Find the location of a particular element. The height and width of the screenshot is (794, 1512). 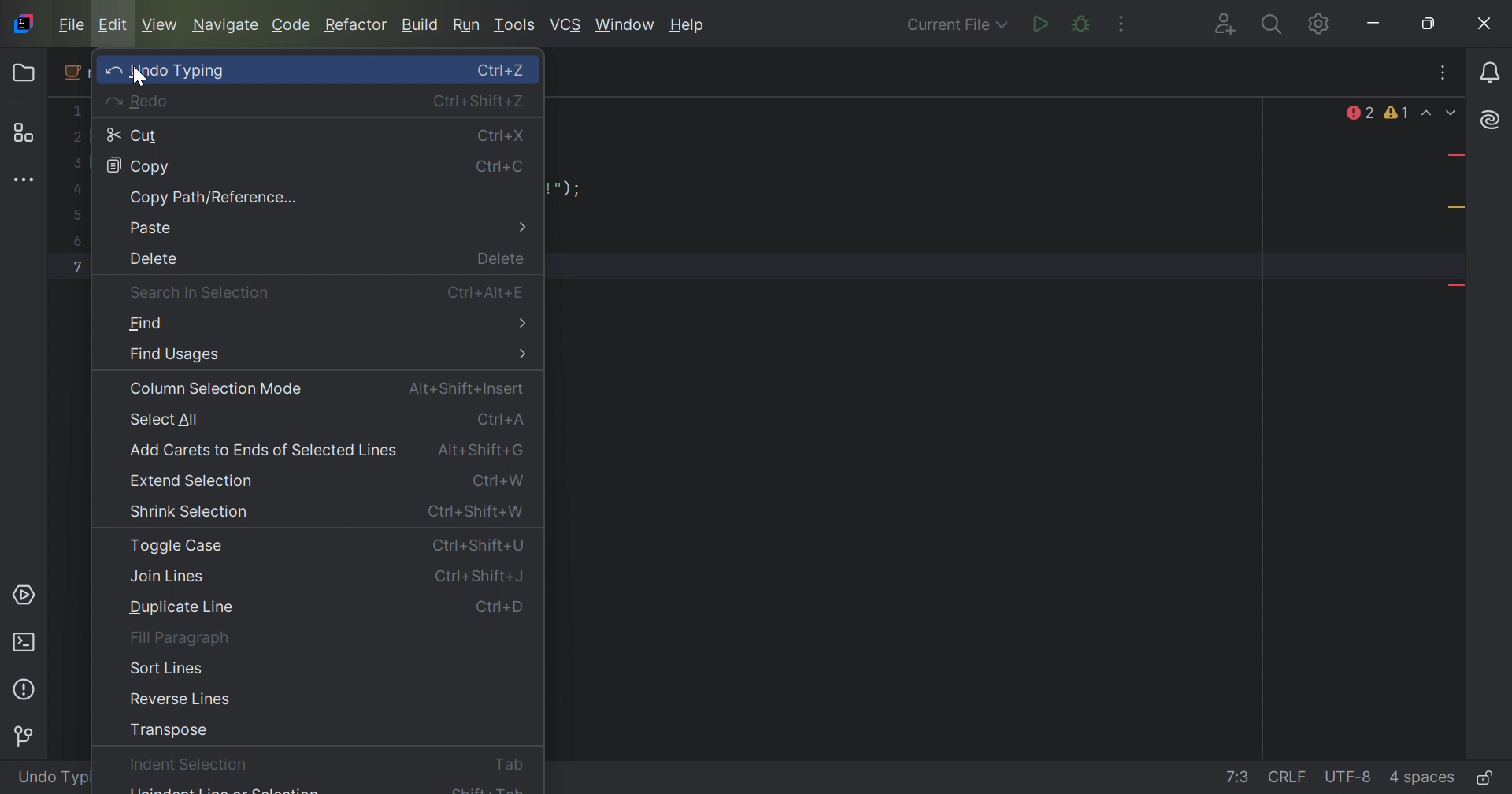

Terminal is located at coordinates (26, 642).